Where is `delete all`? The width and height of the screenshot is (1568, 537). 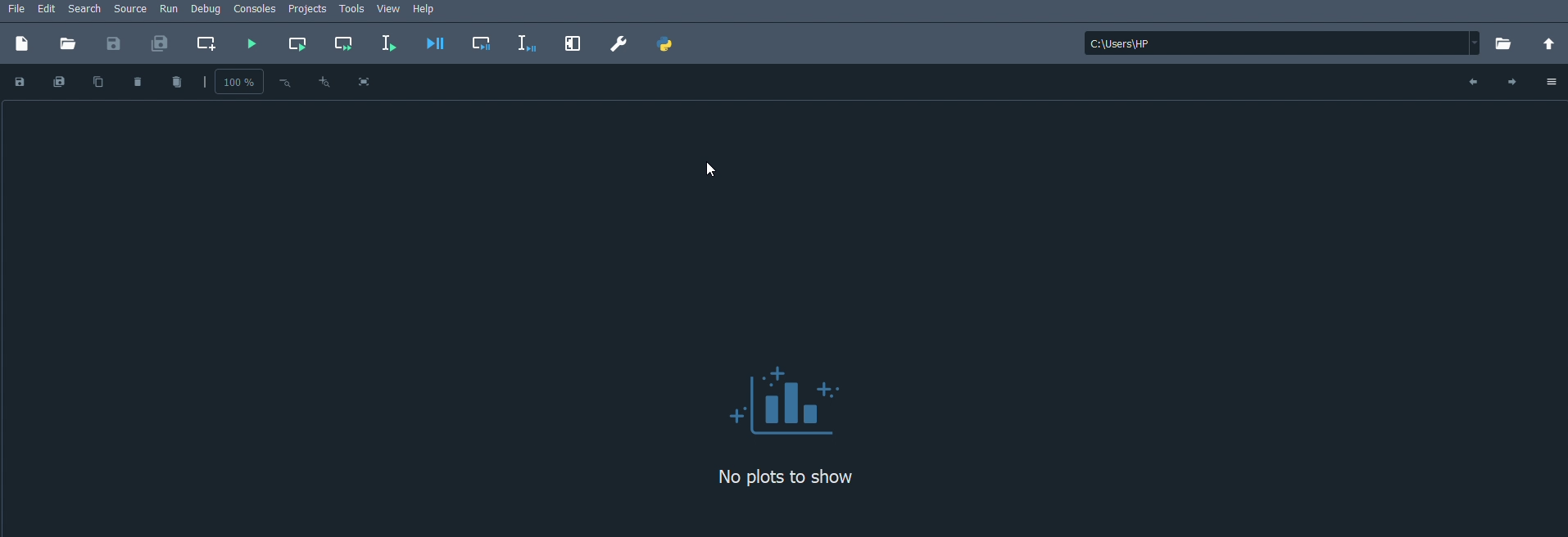 delete all is located at coordinates (175, 82).